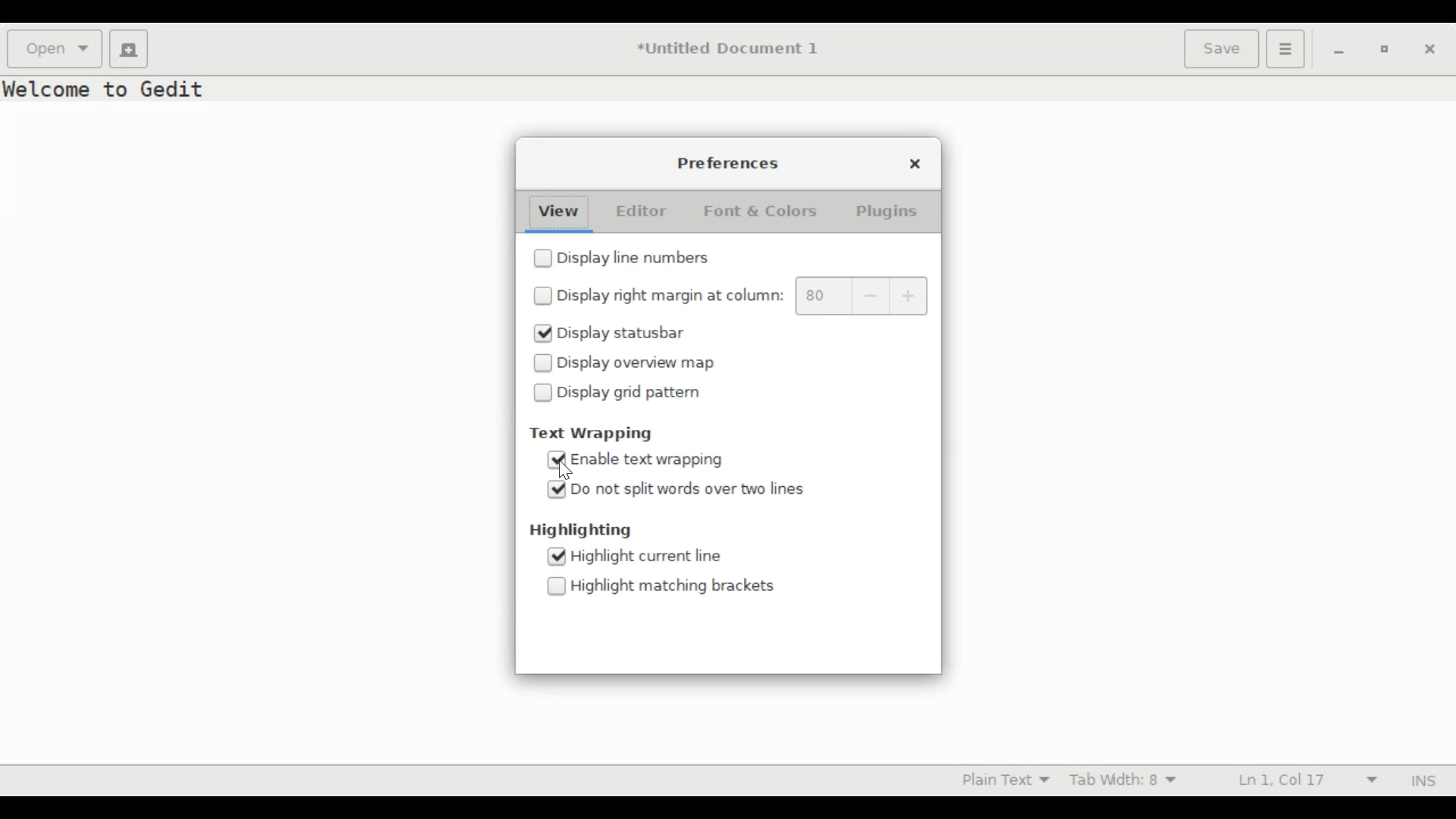 The height and width of the screenshot is (819, 1456). I want to click on Display grid pattern, so click(629, 395).